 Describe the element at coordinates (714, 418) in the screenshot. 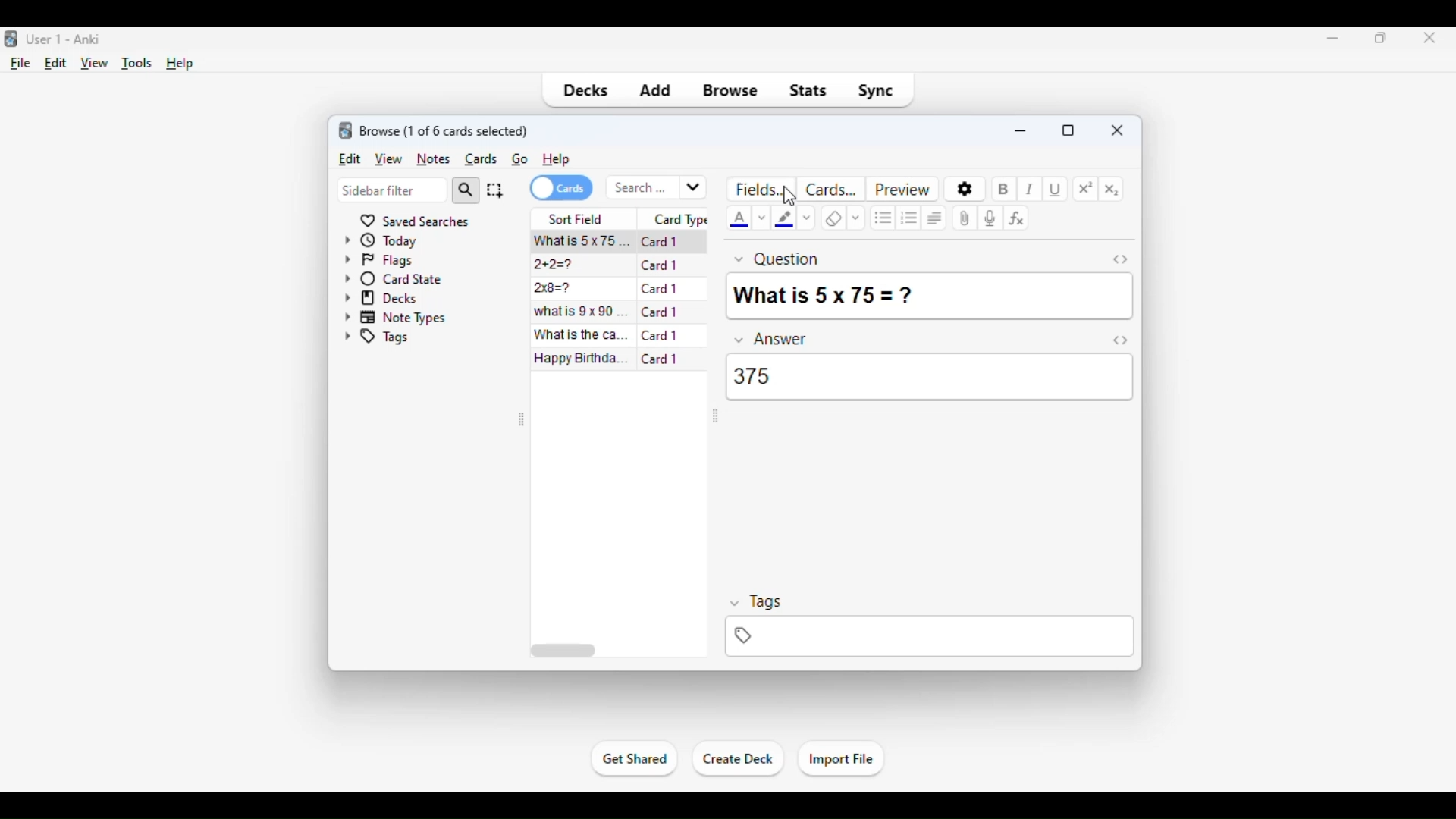

I see `toggle sidebar` at that location.